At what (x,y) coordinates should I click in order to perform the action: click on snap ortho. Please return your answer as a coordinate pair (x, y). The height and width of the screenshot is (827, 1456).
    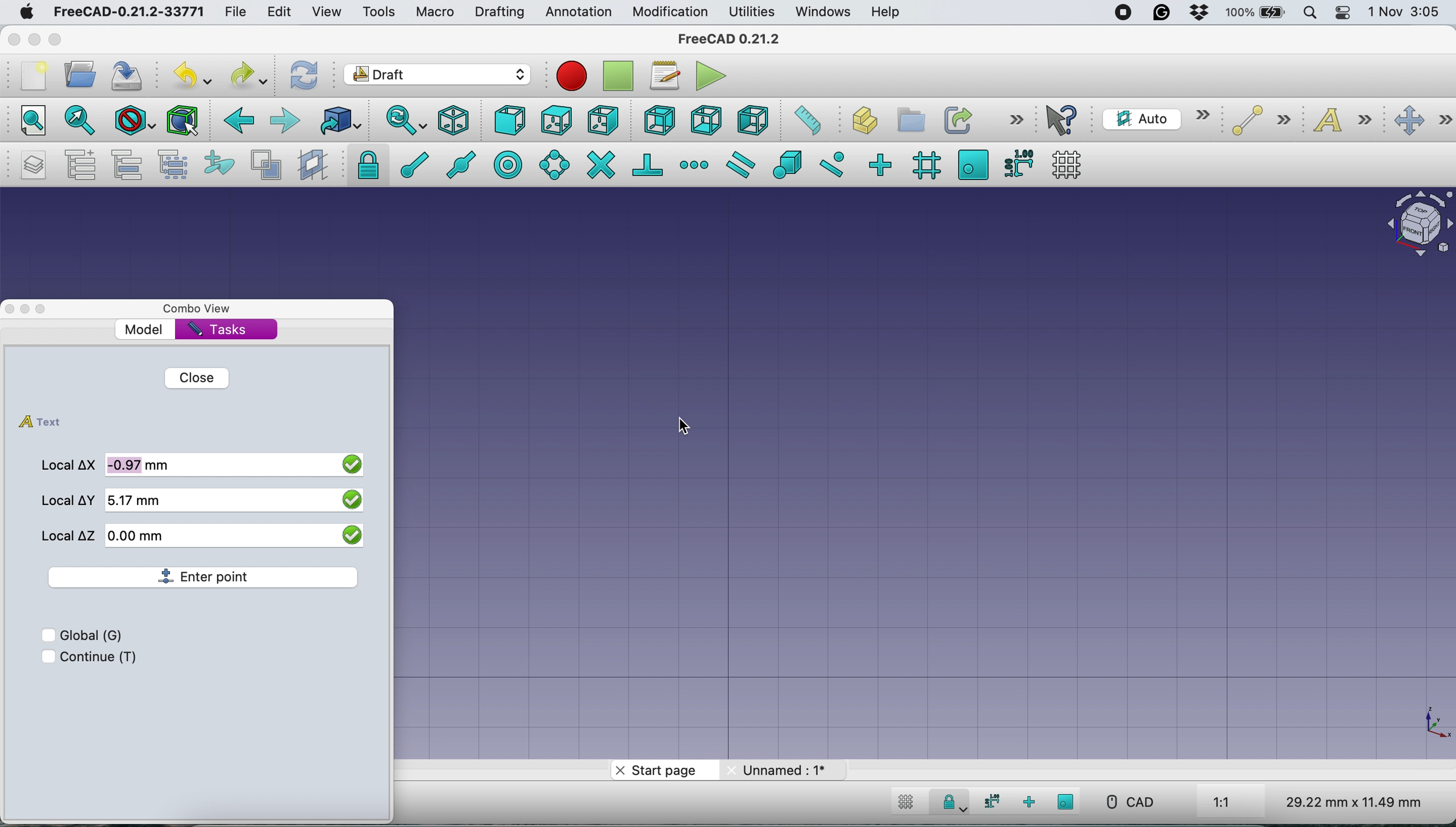
    Looking at the image, I should click on (1031, 801).